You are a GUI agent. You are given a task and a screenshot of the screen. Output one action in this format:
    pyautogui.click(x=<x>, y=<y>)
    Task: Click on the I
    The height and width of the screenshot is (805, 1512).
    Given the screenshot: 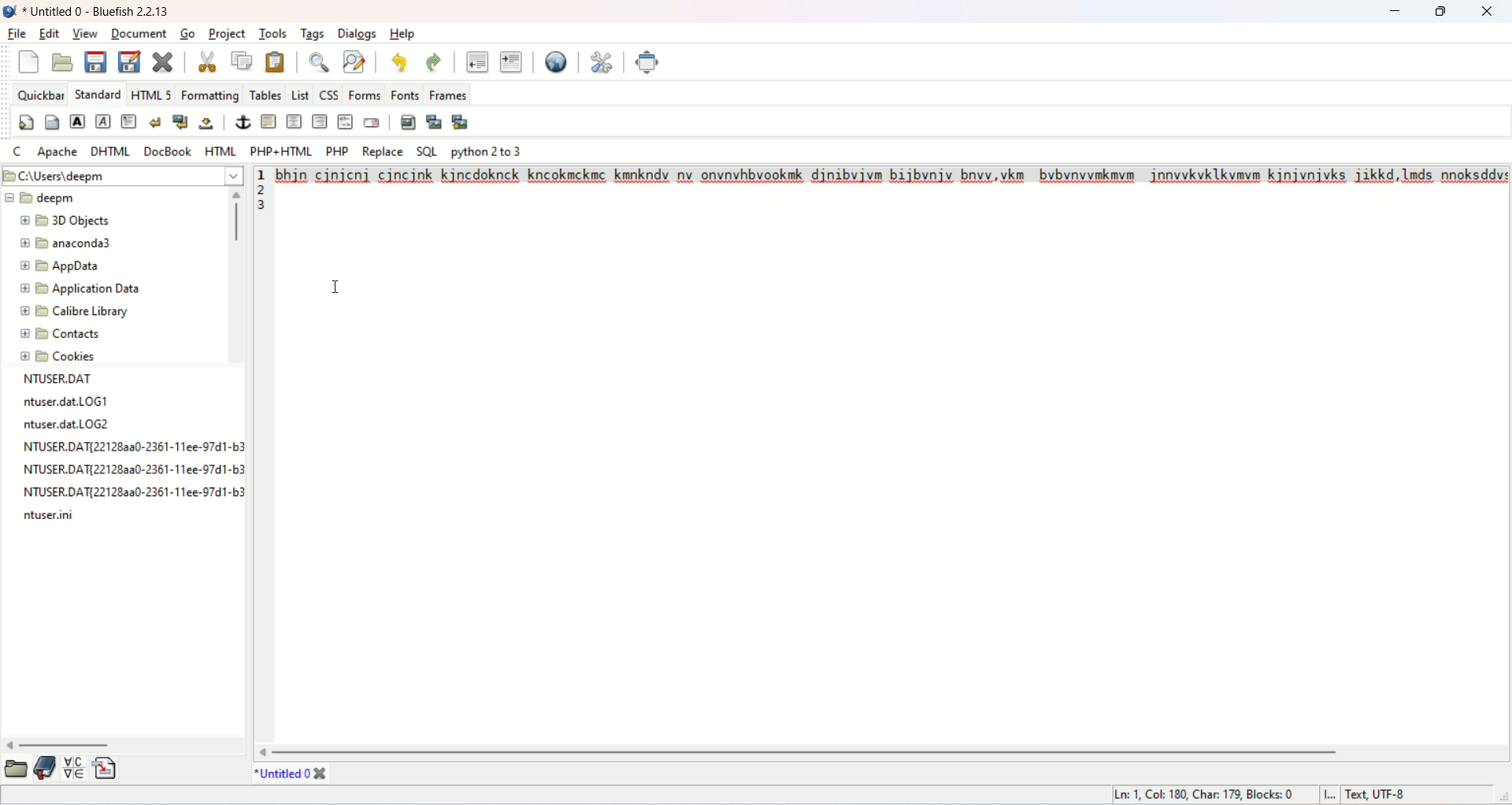 What is the action you would take?
    pyautogui.click(x=1330, y=794)
    